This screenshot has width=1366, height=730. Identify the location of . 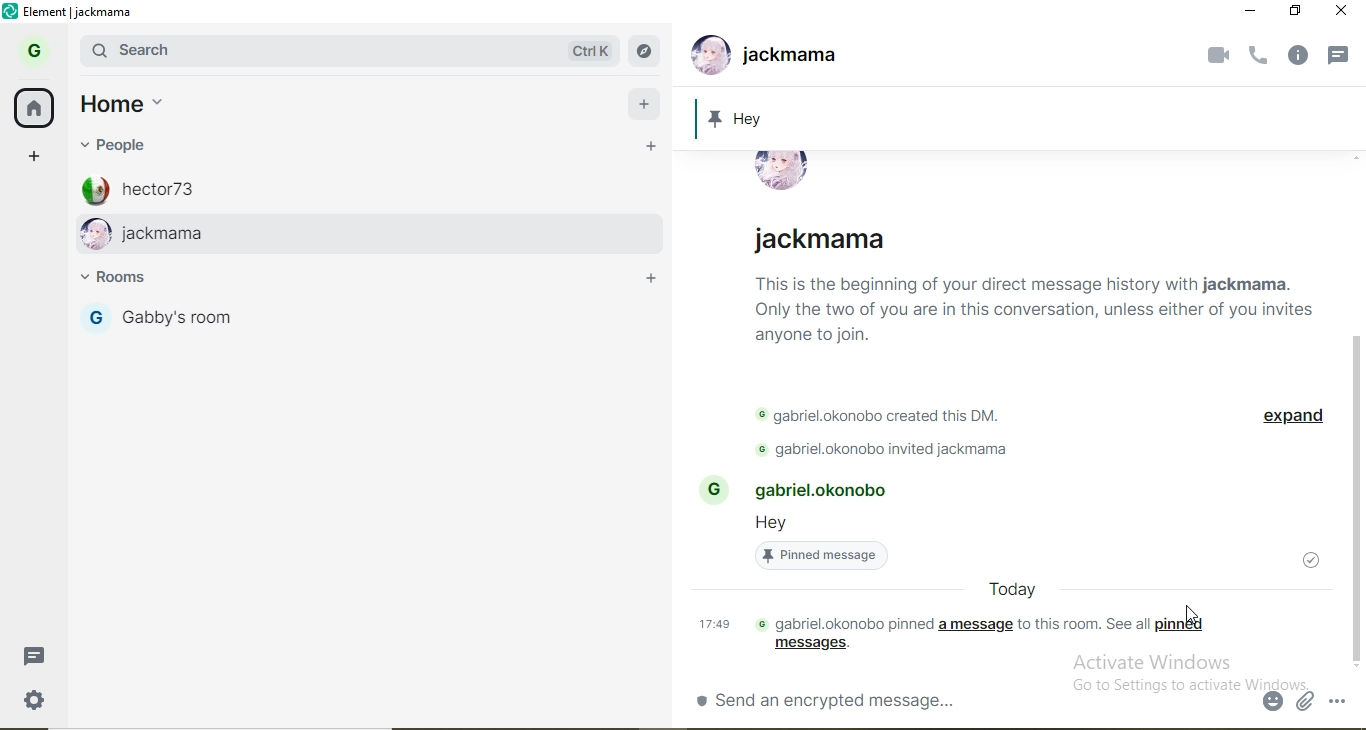
(1255, 55).